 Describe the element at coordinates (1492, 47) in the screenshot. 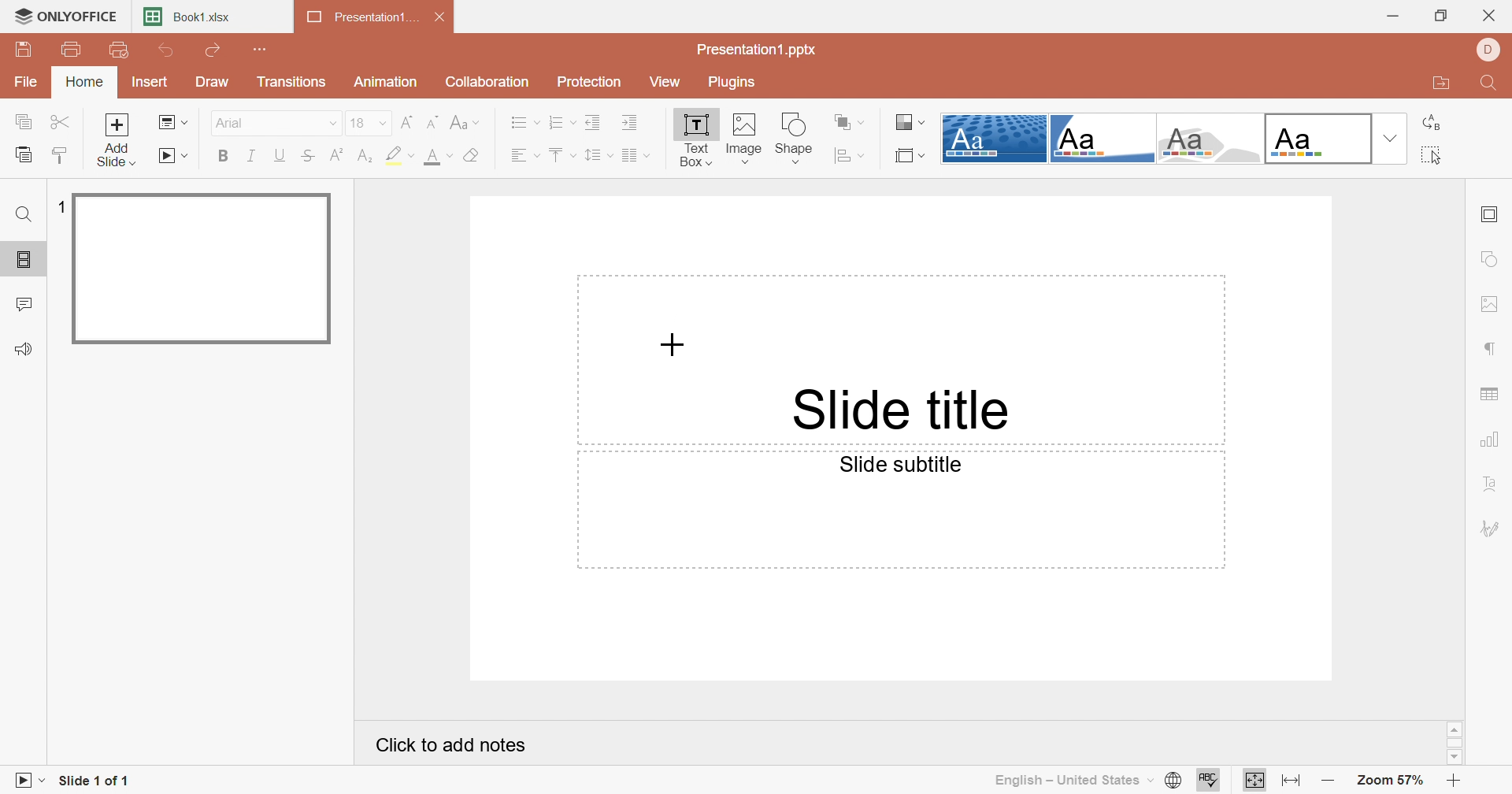

I see `DELL` at that location.